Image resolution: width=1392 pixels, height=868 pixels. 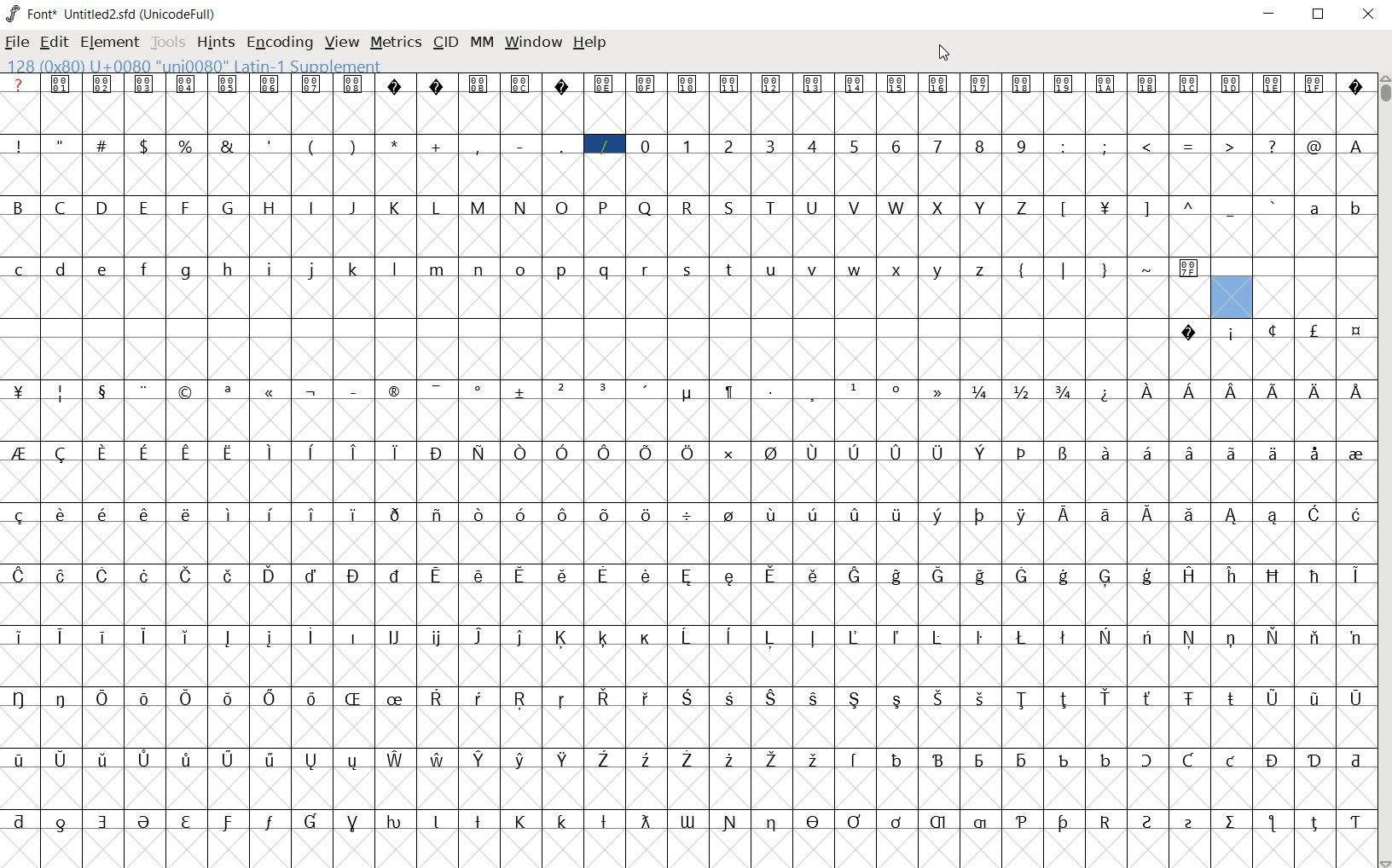 What do you see at coordinates (1190, 515) in the screenshot?
I see `glyph` at bounding box center [1190, 515].